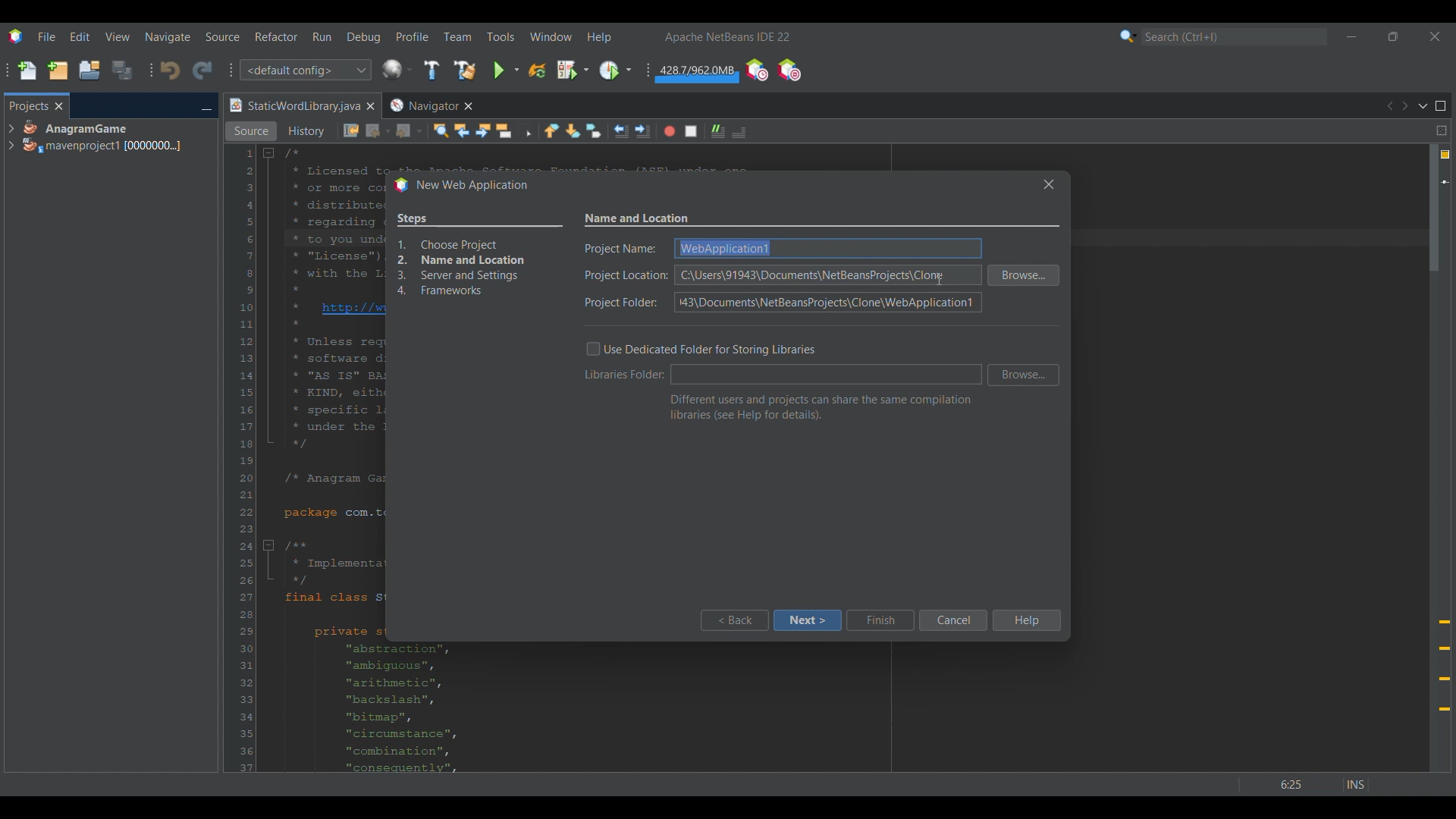 The width and height of the screenshot is (1456, 819). Describe the element at coordinates (322, 36) in the screenshot. I see `Run menu` at that location.